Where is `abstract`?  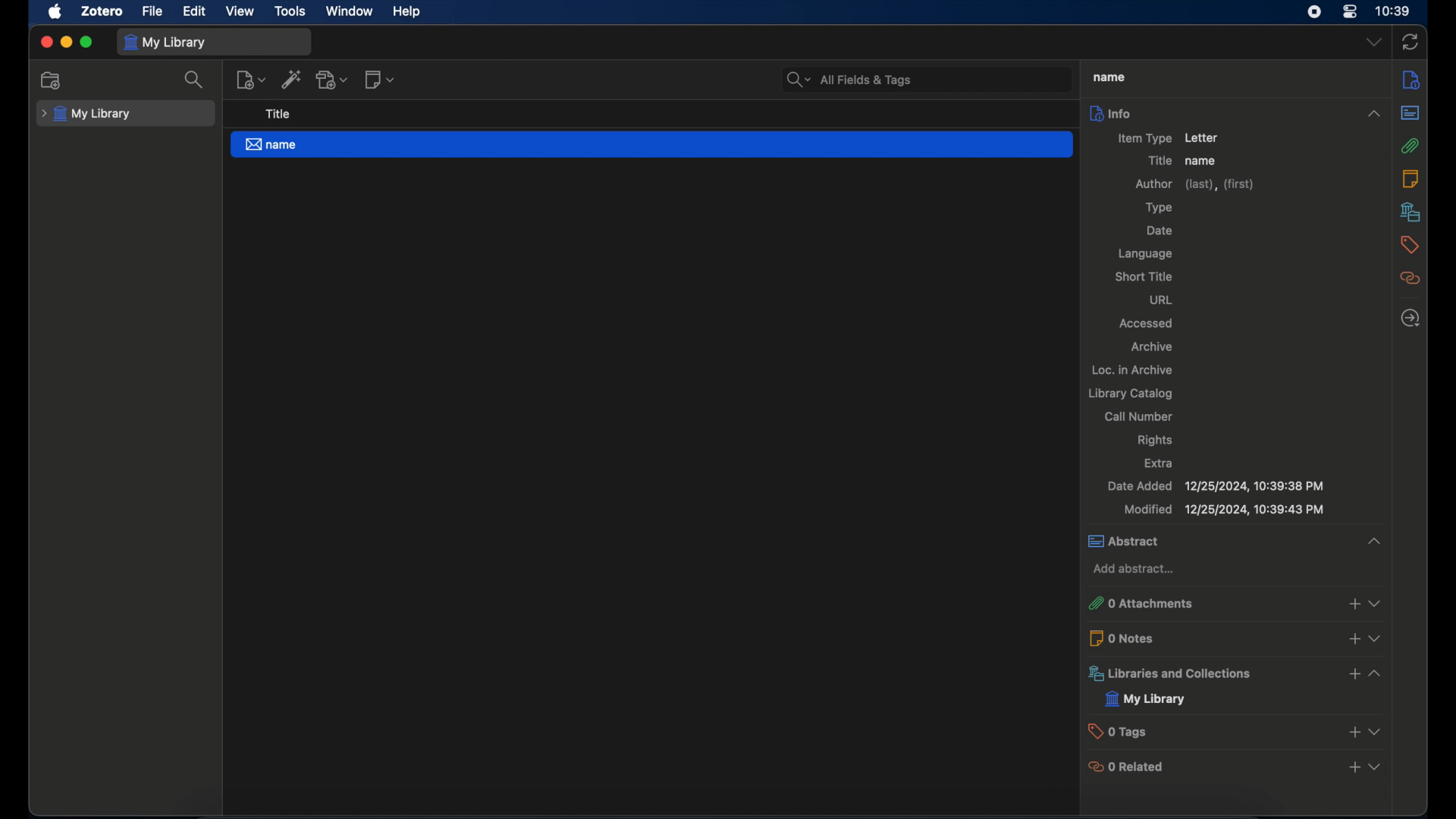 abstract is located at coordinates (1410, 112).